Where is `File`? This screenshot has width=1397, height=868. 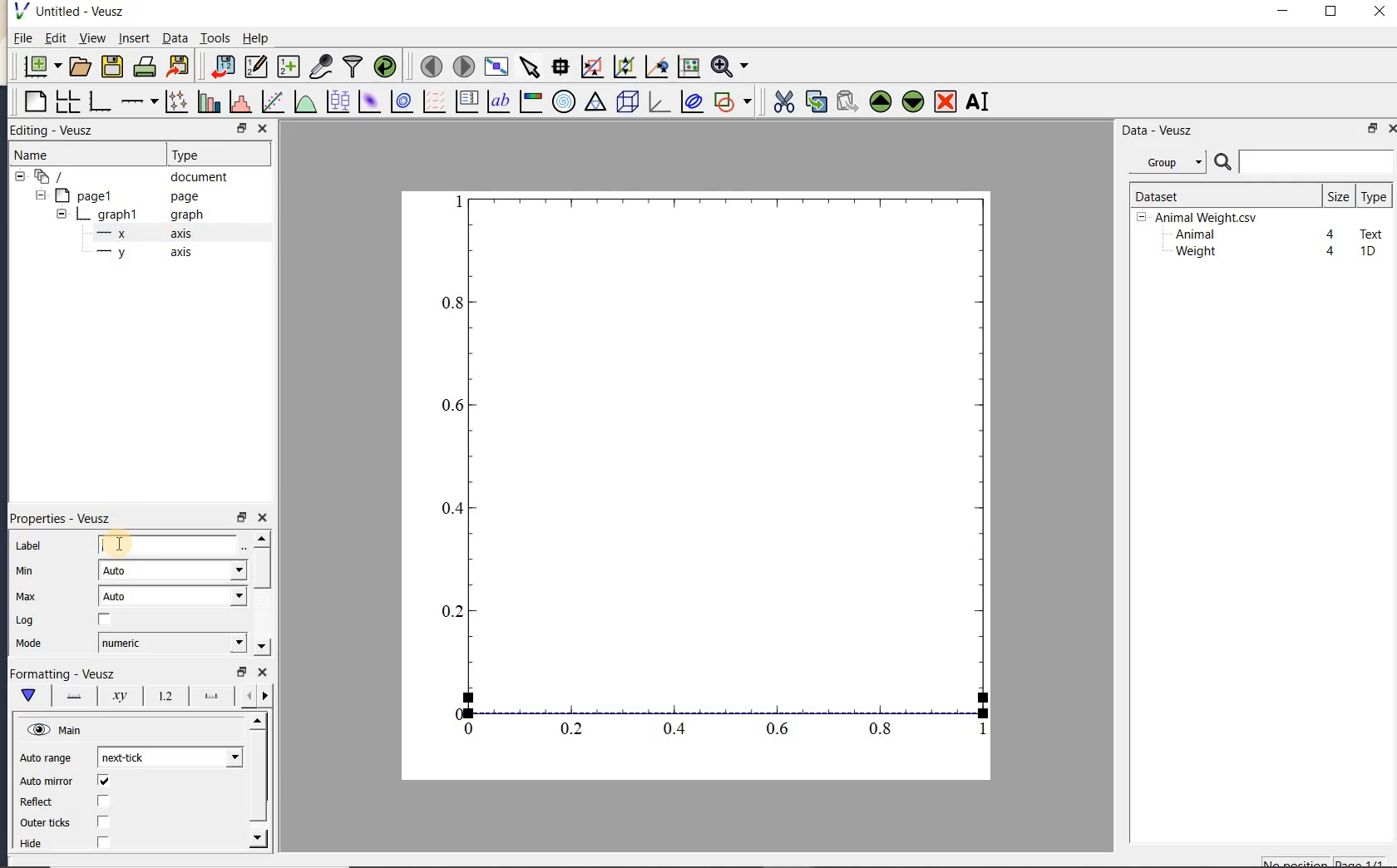 File is located at coordinates (23, 38).